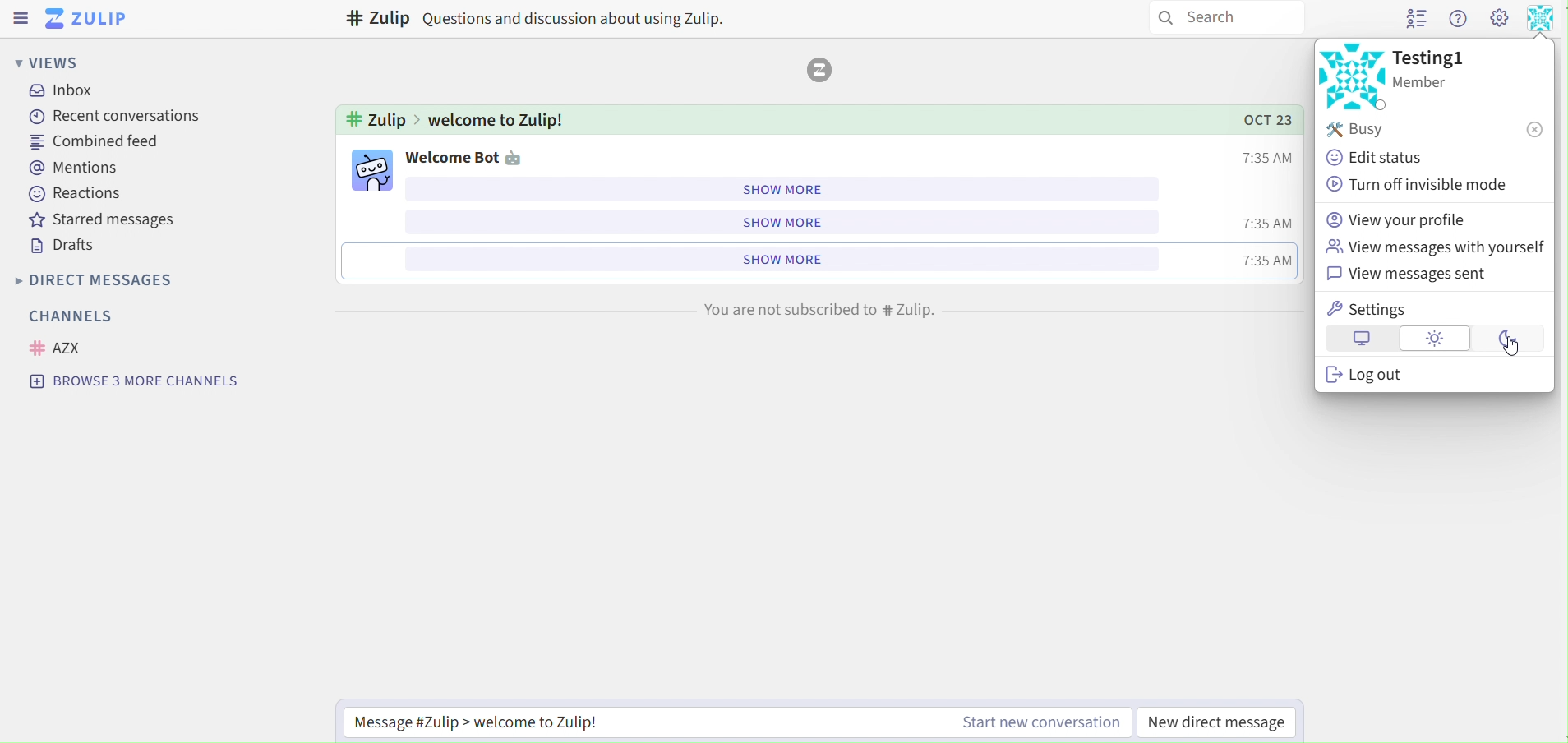  I want to click on view your profile, so click(1402, 219).